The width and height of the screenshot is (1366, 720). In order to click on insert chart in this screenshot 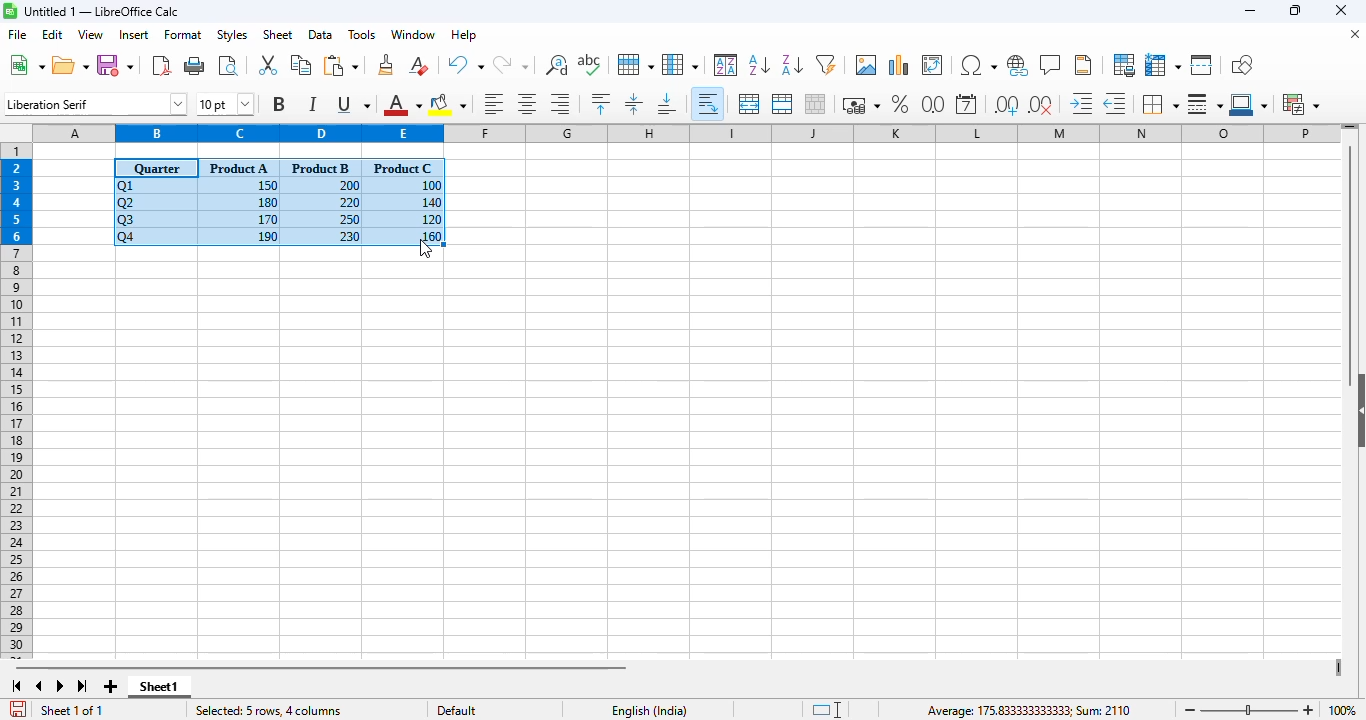, I will do `click(899, 64)`.